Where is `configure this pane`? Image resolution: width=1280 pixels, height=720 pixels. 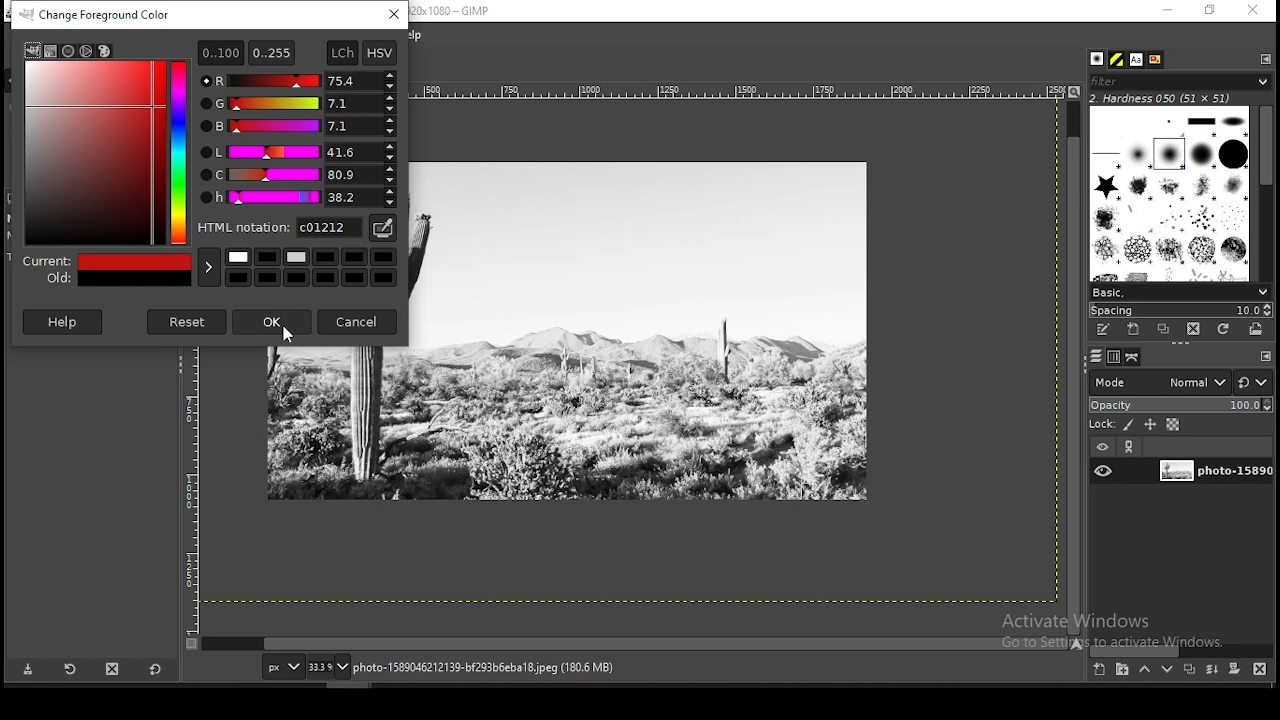
configure this pane is located at coordinates (1264, 58).